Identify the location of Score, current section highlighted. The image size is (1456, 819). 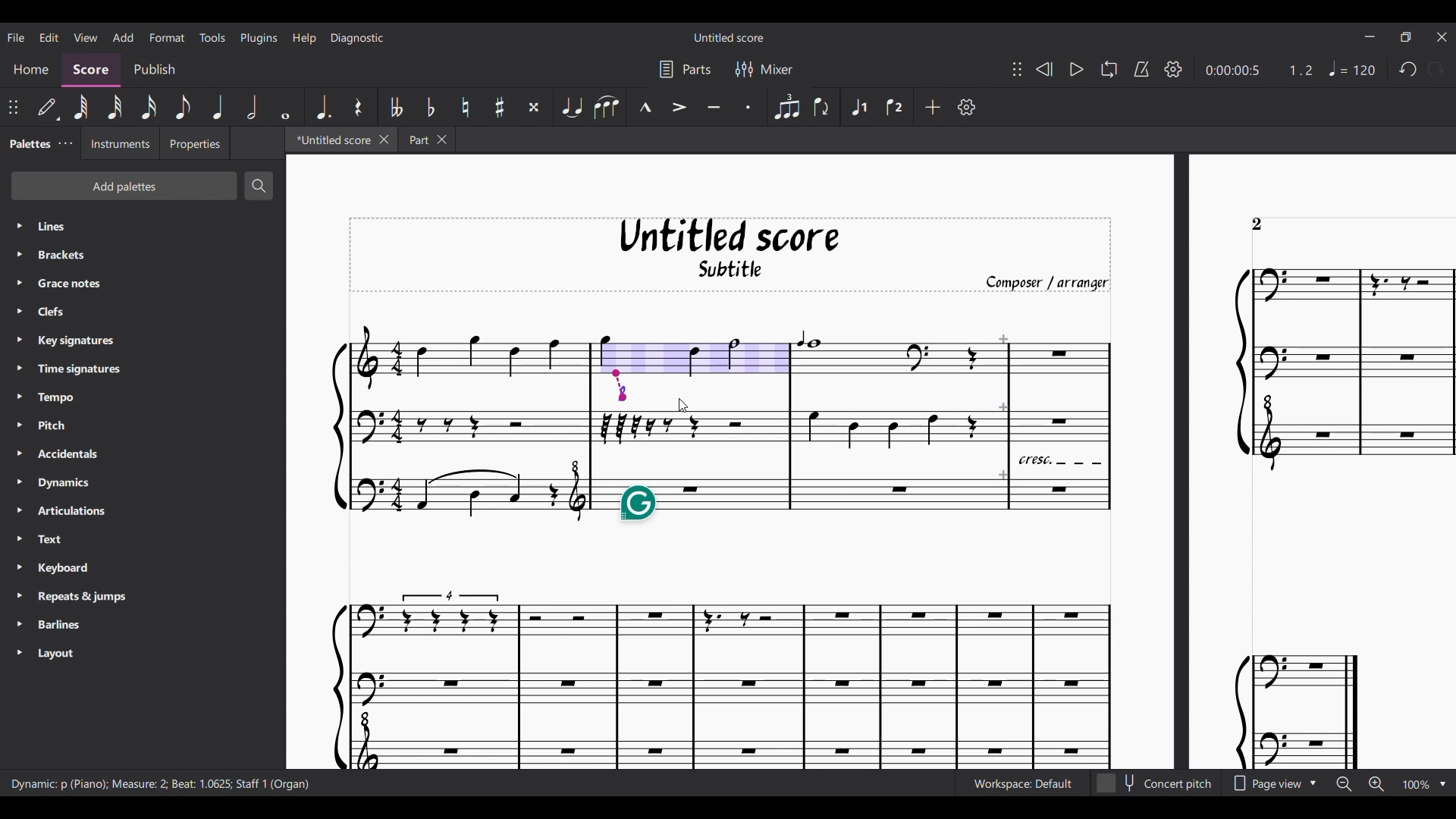
(91, 71).